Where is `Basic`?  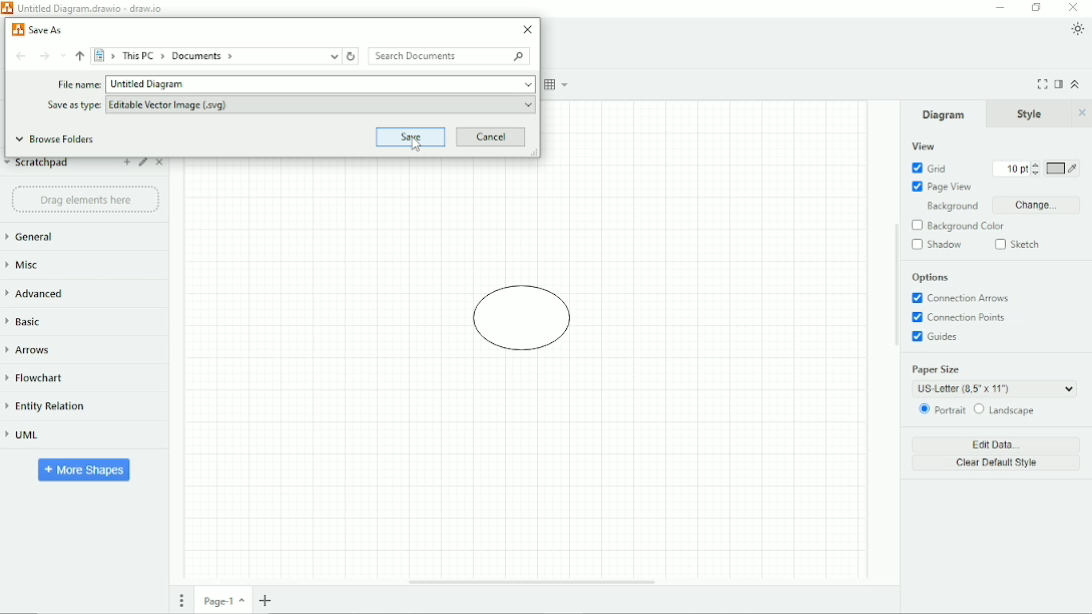 Basic is located at coordinates (29, 321).